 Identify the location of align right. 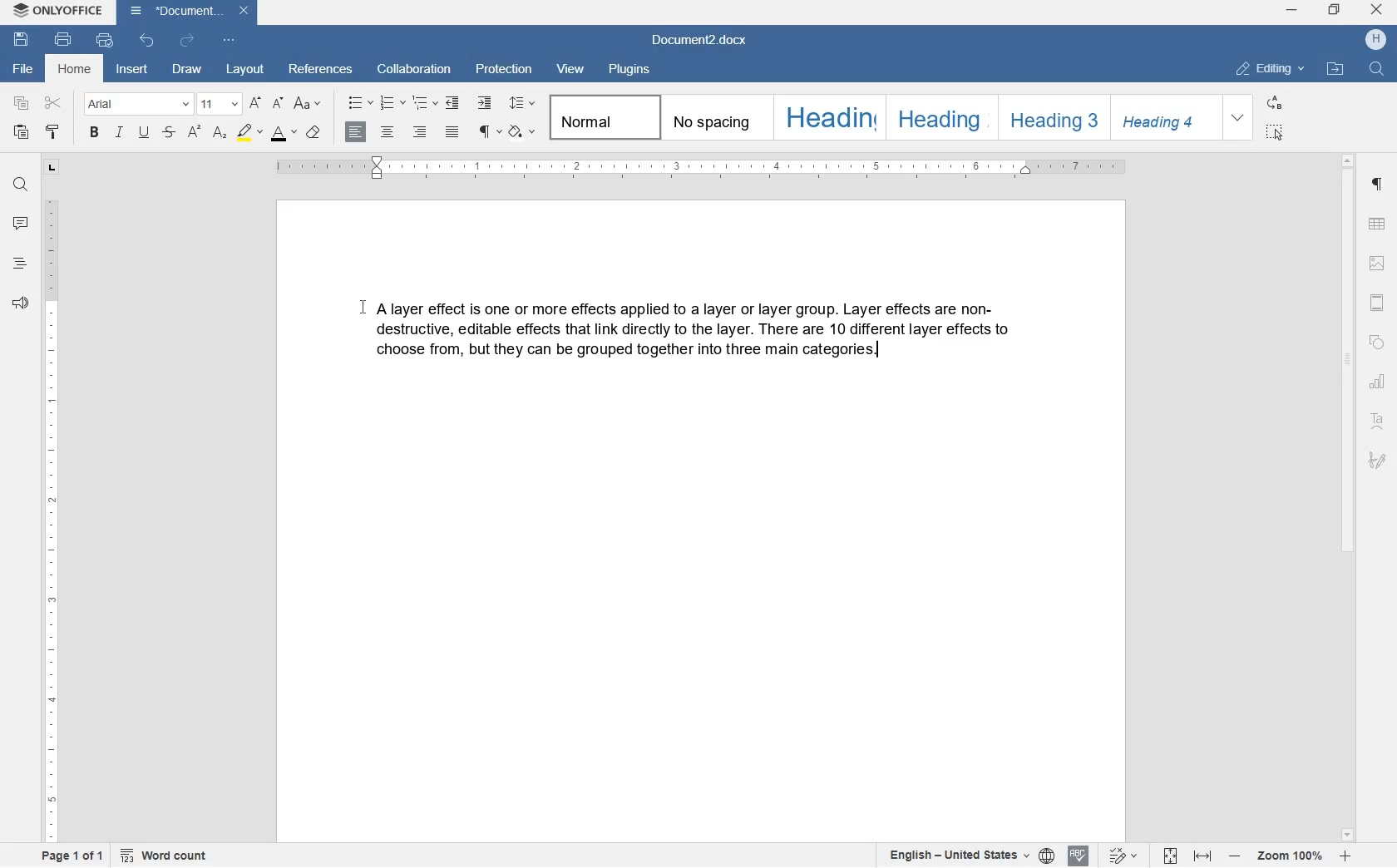
(355, 133).